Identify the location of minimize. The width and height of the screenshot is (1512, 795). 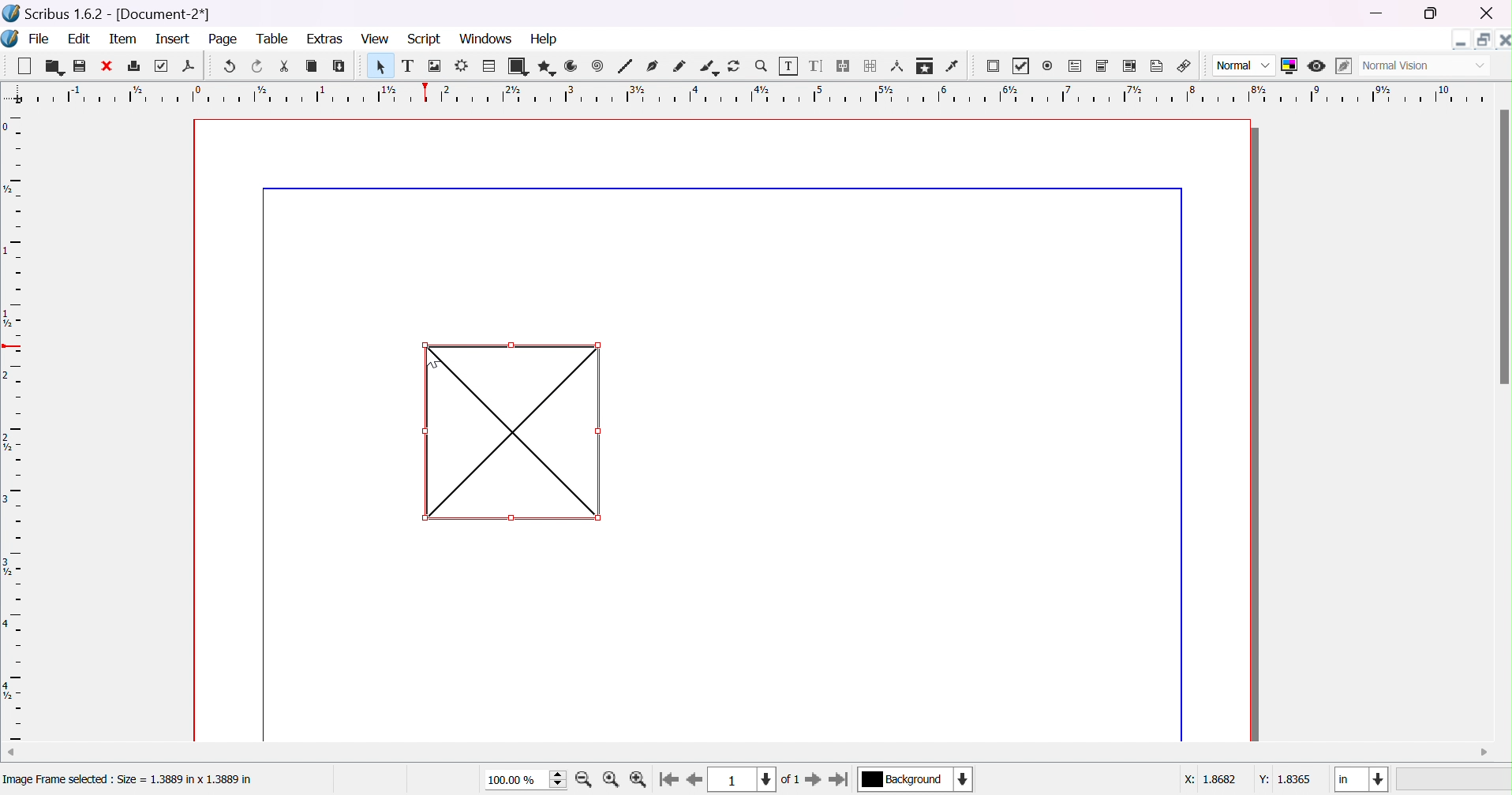
(1461, 39).